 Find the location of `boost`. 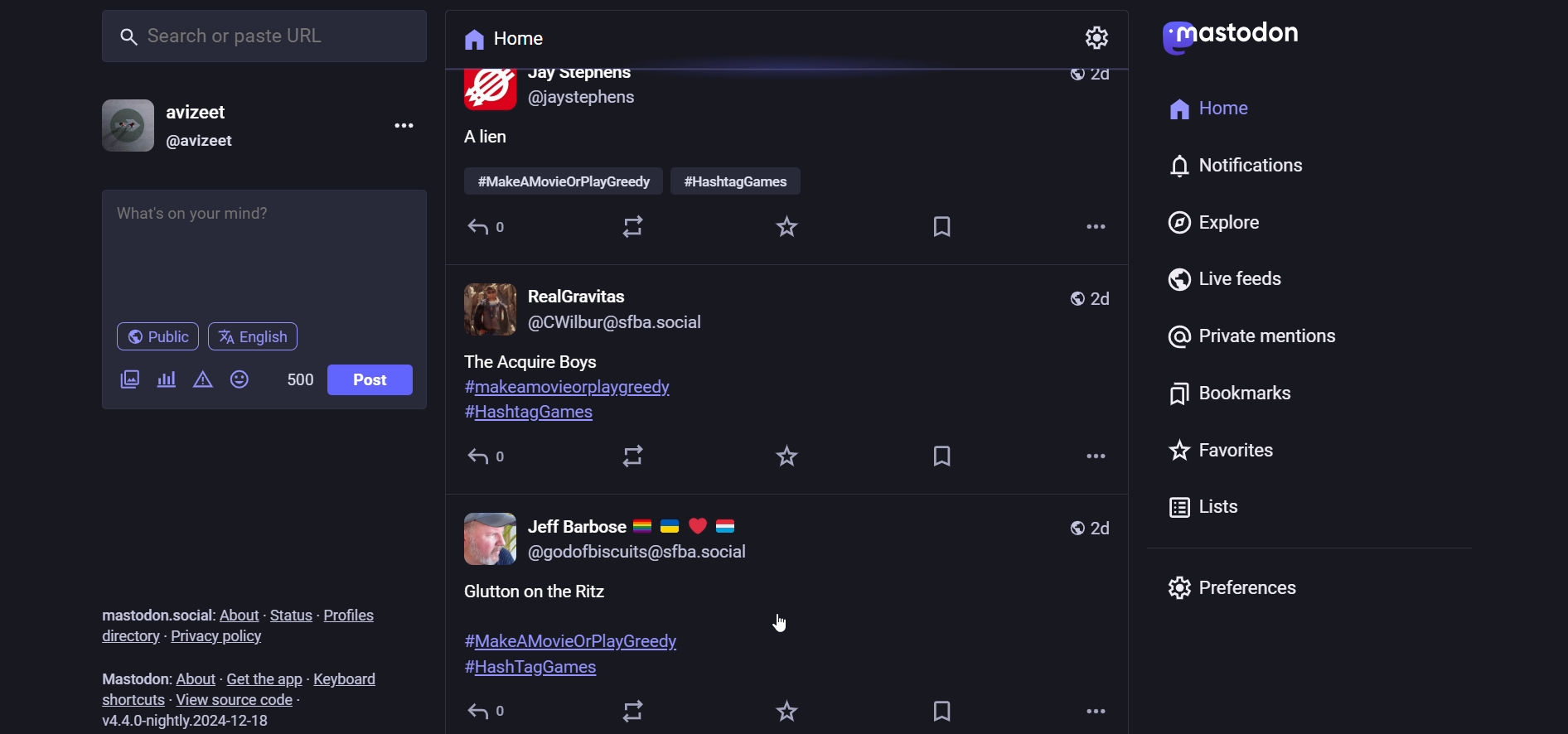

boost is located at coordinates (635, 457).